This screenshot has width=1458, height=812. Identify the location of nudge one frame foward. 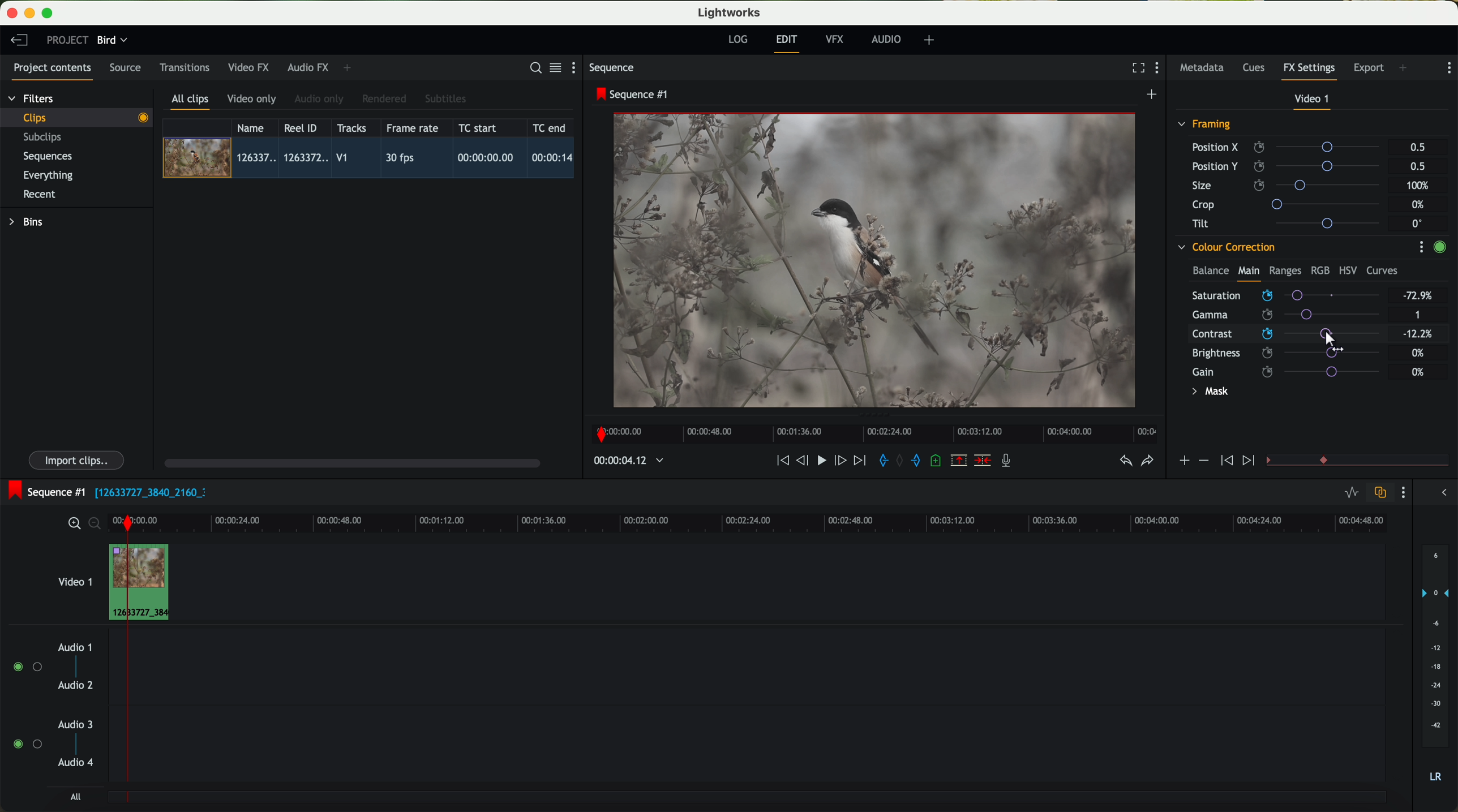
(842, 461).